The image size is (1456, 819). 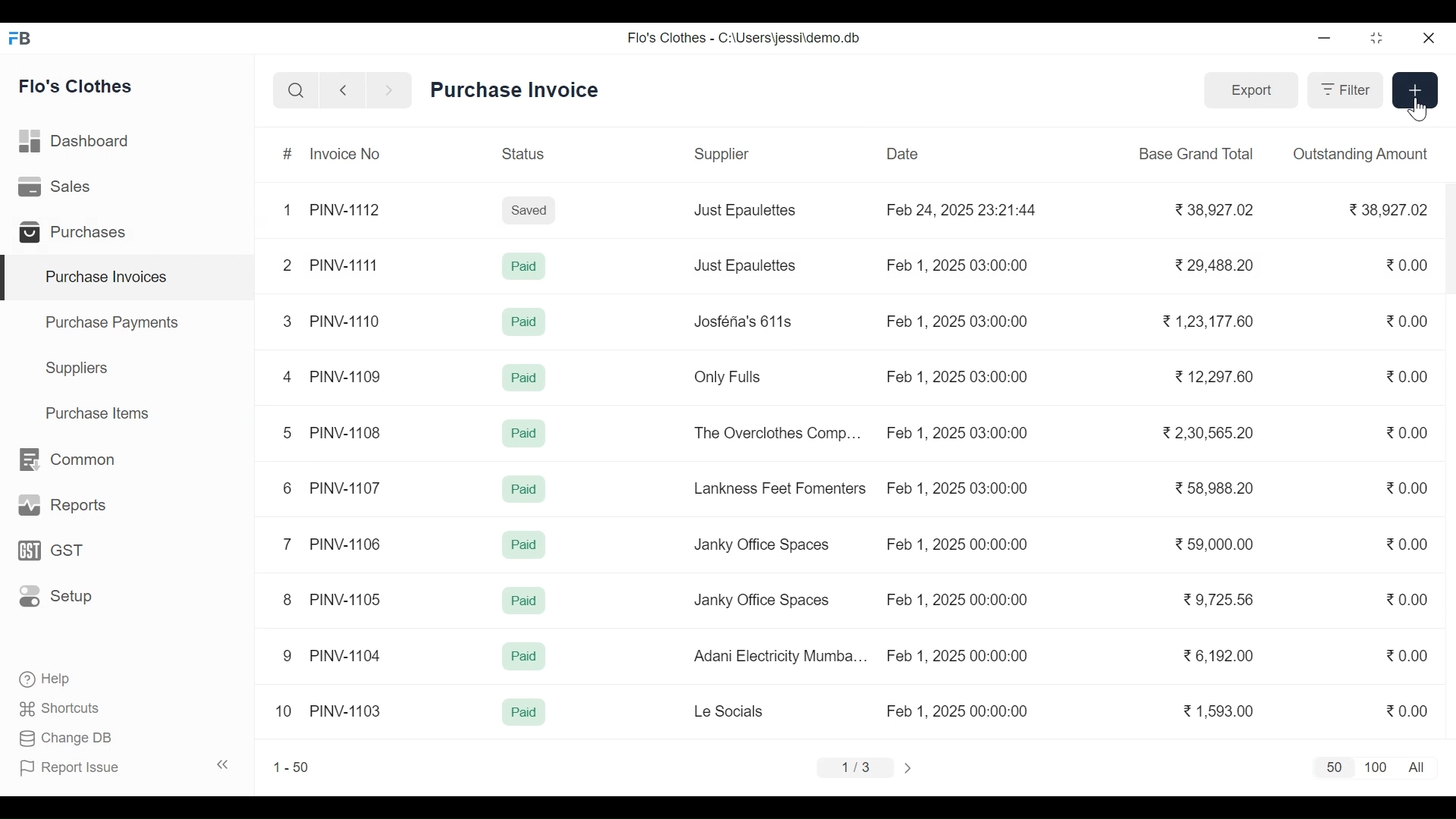 What do you see at coordinates (61, 188) in the screenshot?
I see `Sales` at bounding box center [61, 188].